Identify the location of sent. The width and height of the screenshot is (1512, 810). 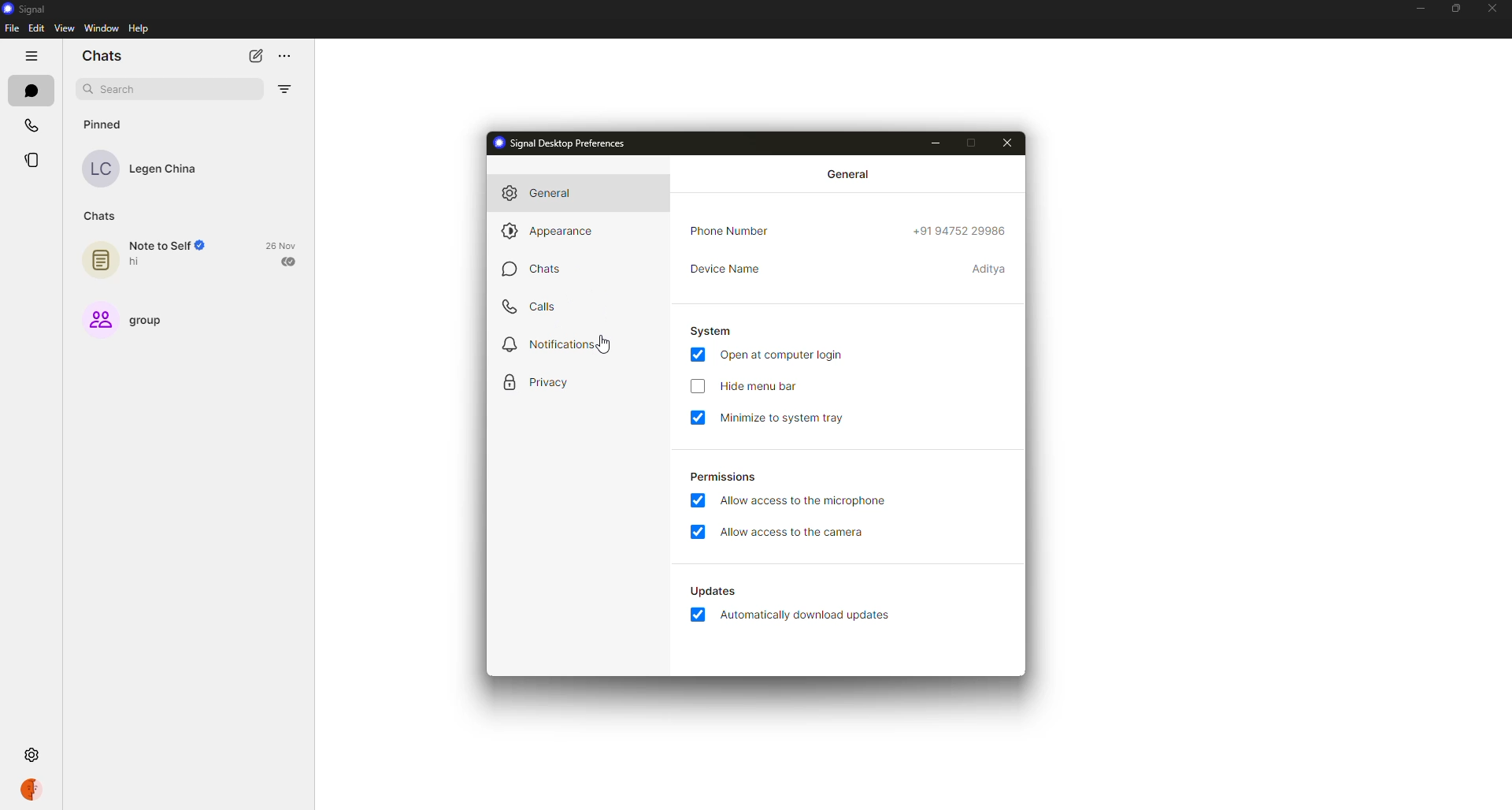
(290, 261).